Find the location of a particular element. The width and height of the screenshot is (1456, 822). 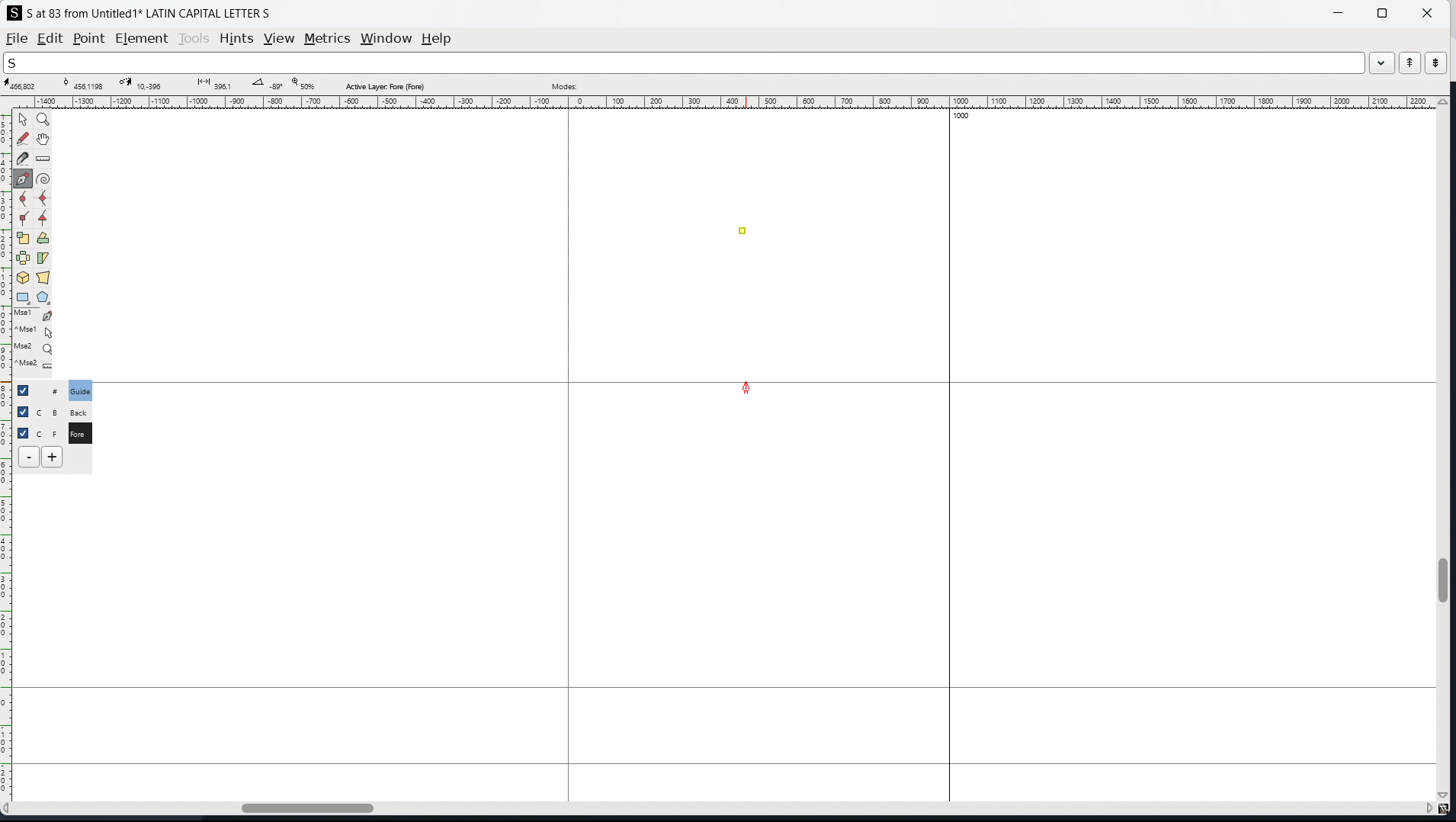

previous word in the wordlist is located at coordinates (1410, 63).